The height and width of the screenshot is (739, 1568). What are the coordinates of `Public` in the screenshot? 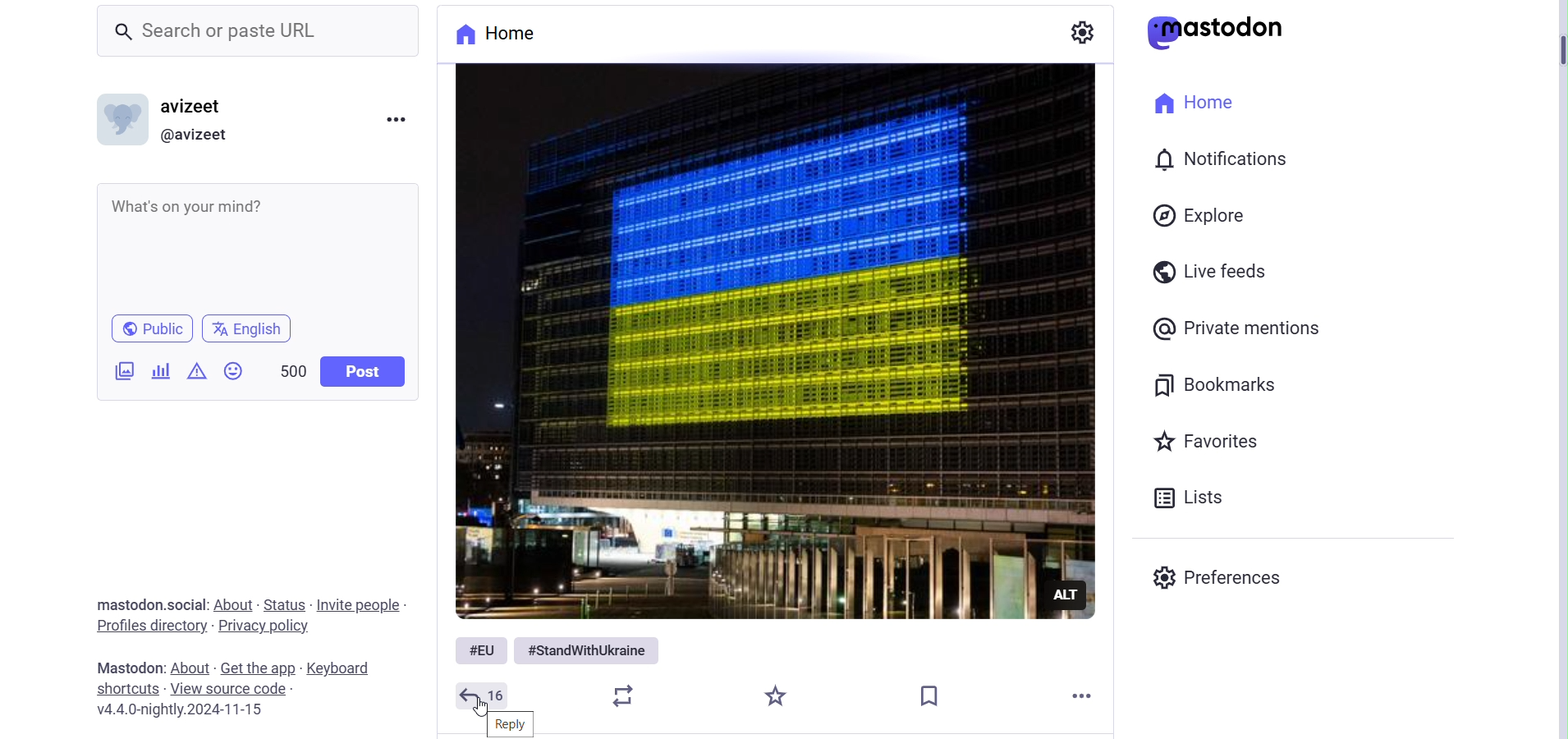 It's located at (150, 328).